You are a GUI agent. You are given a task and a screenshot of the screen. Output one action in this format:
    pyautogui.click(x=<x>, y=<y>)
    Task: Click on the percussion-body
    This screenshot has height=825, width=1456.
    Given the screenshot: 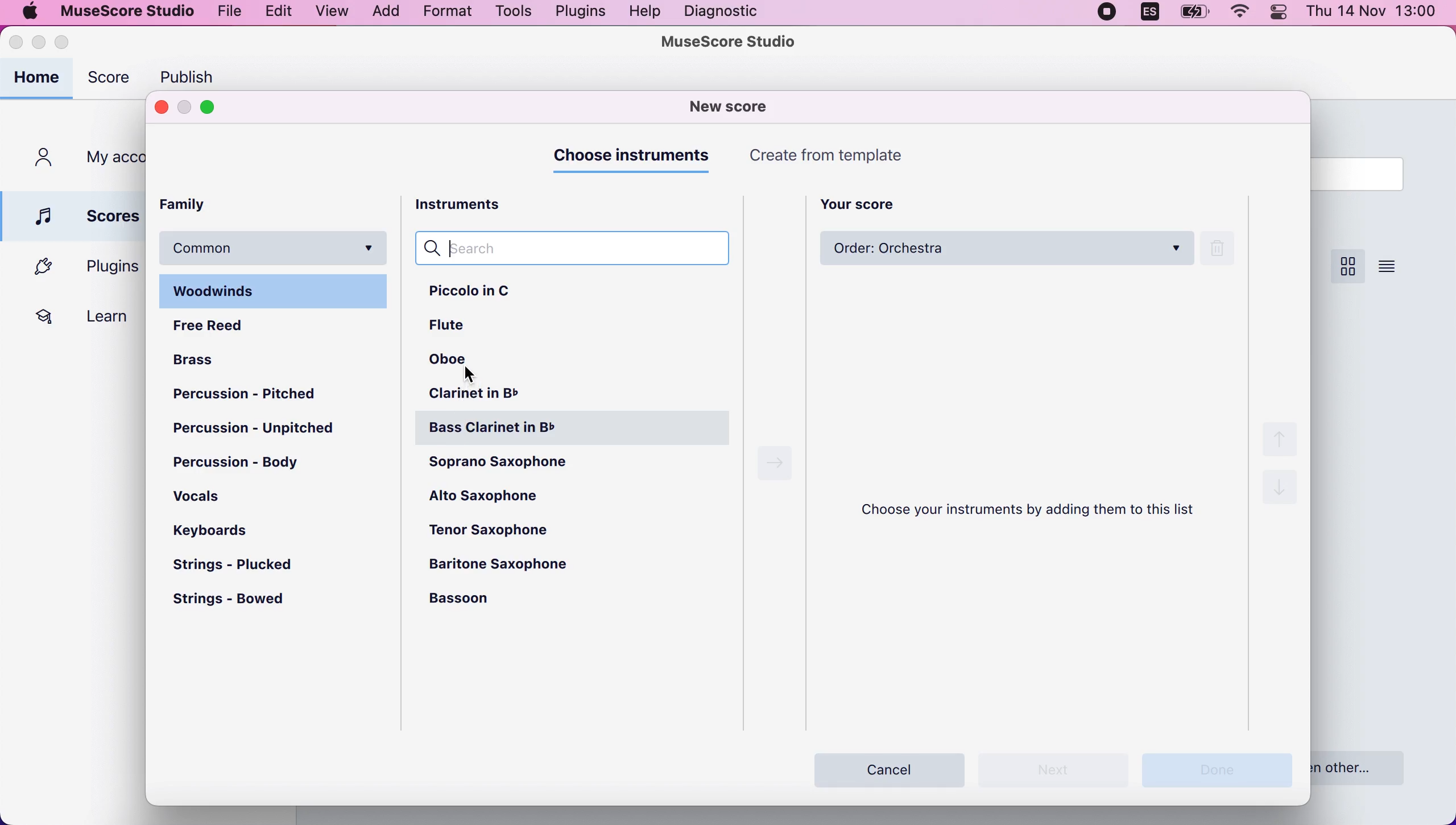 What is the action you would take?
    pyautogui.click(x=255, y=464)
    